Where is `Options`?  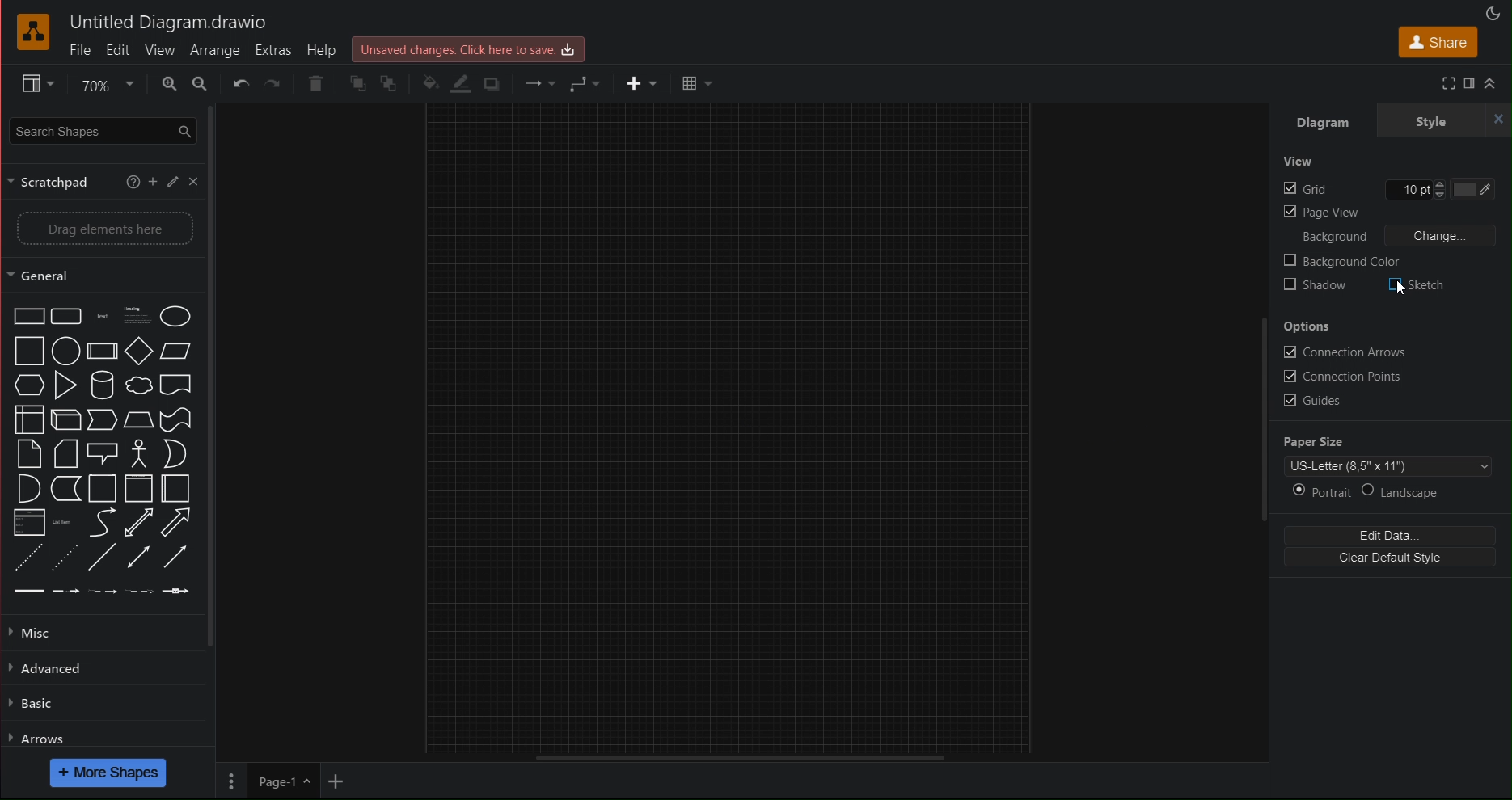
Options is located at coordinates (1314, 326).